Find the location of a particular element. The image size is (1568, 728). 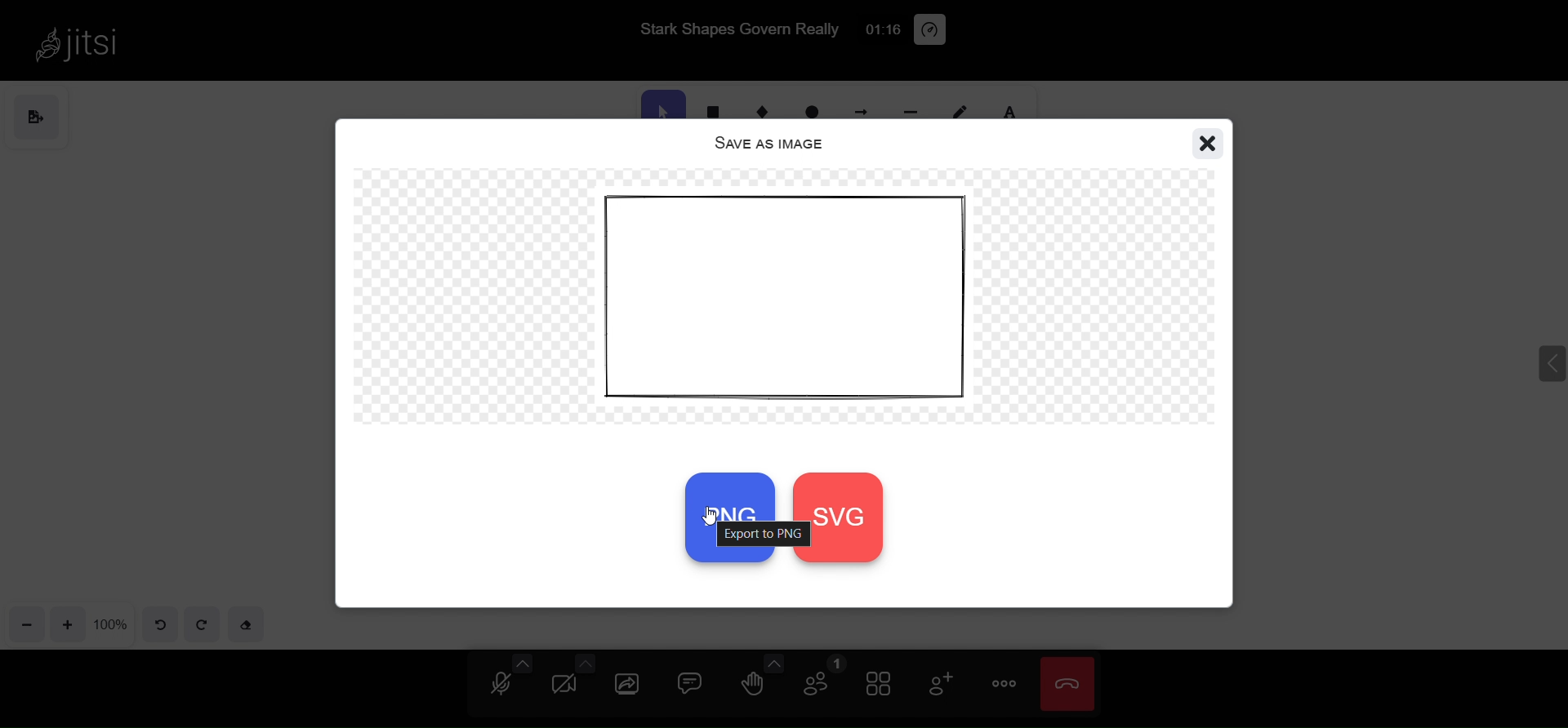

zoom in is located at coordinates (67, 624).